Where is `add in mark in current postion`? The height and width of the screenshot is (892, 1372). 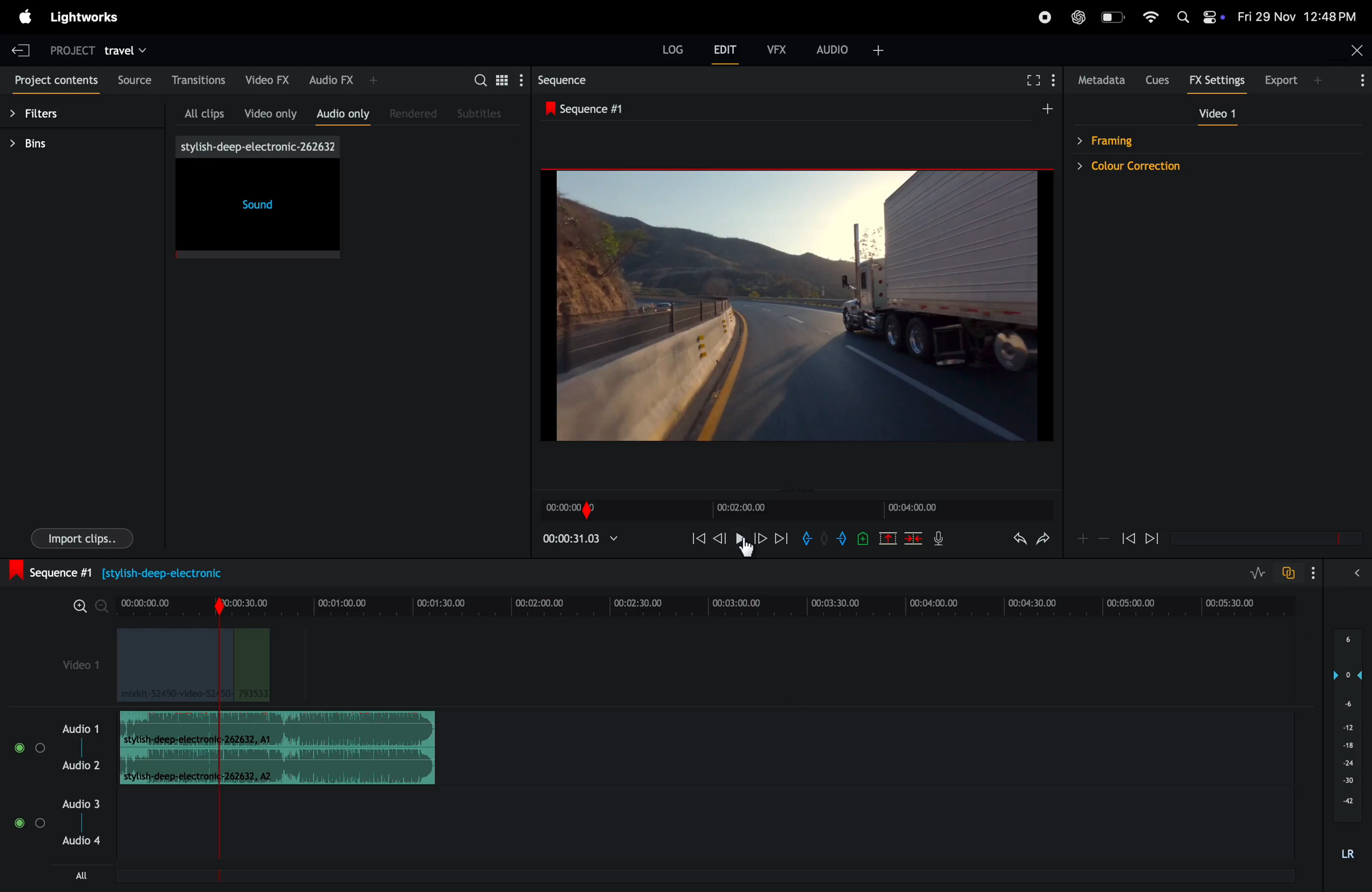 add in mark in current postion is located at coordinates (807, 538).